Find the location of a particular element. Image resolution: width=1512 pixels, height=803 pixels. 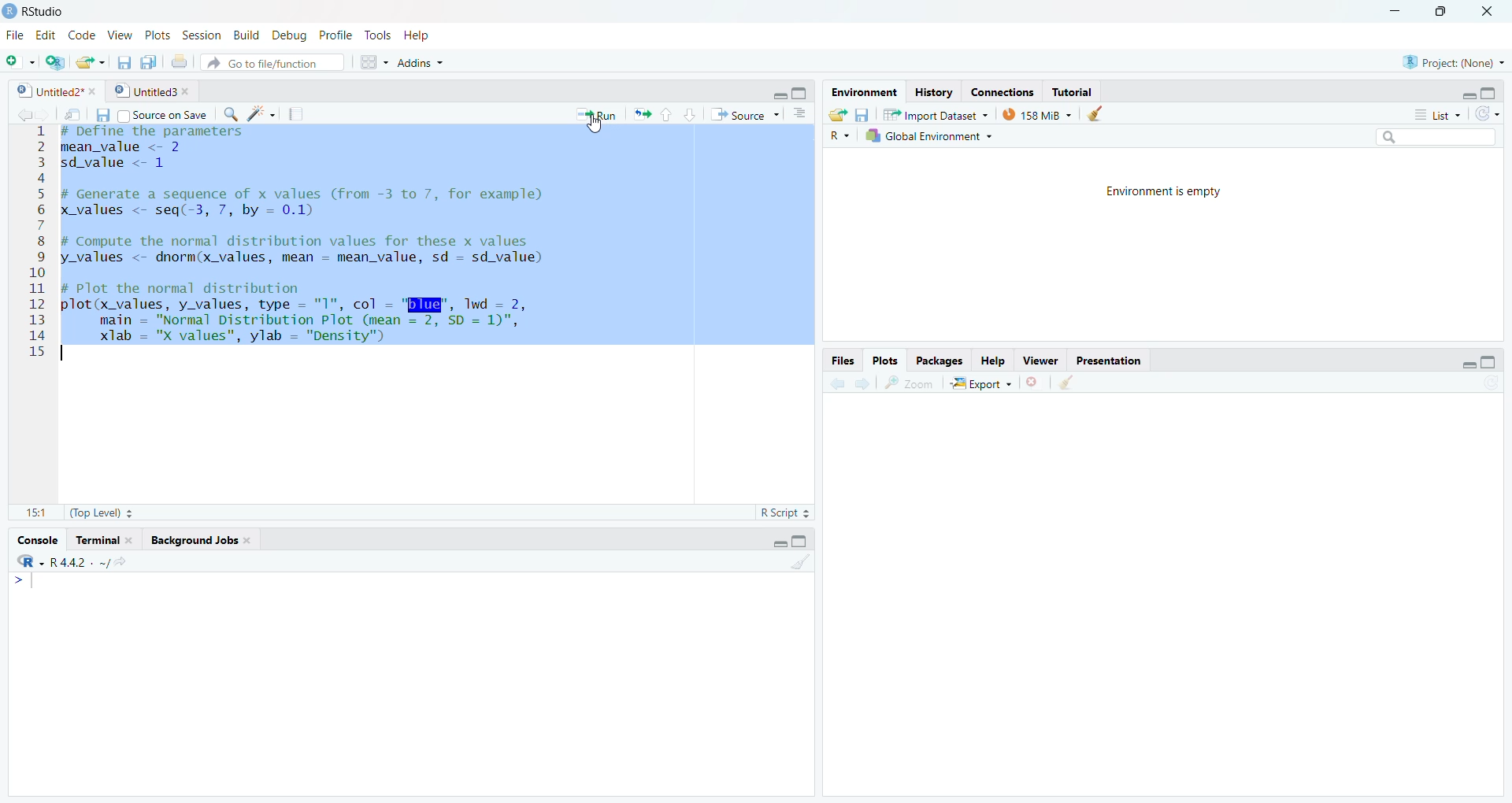

R-4.A.2.- is located at coordinates (81, 561).